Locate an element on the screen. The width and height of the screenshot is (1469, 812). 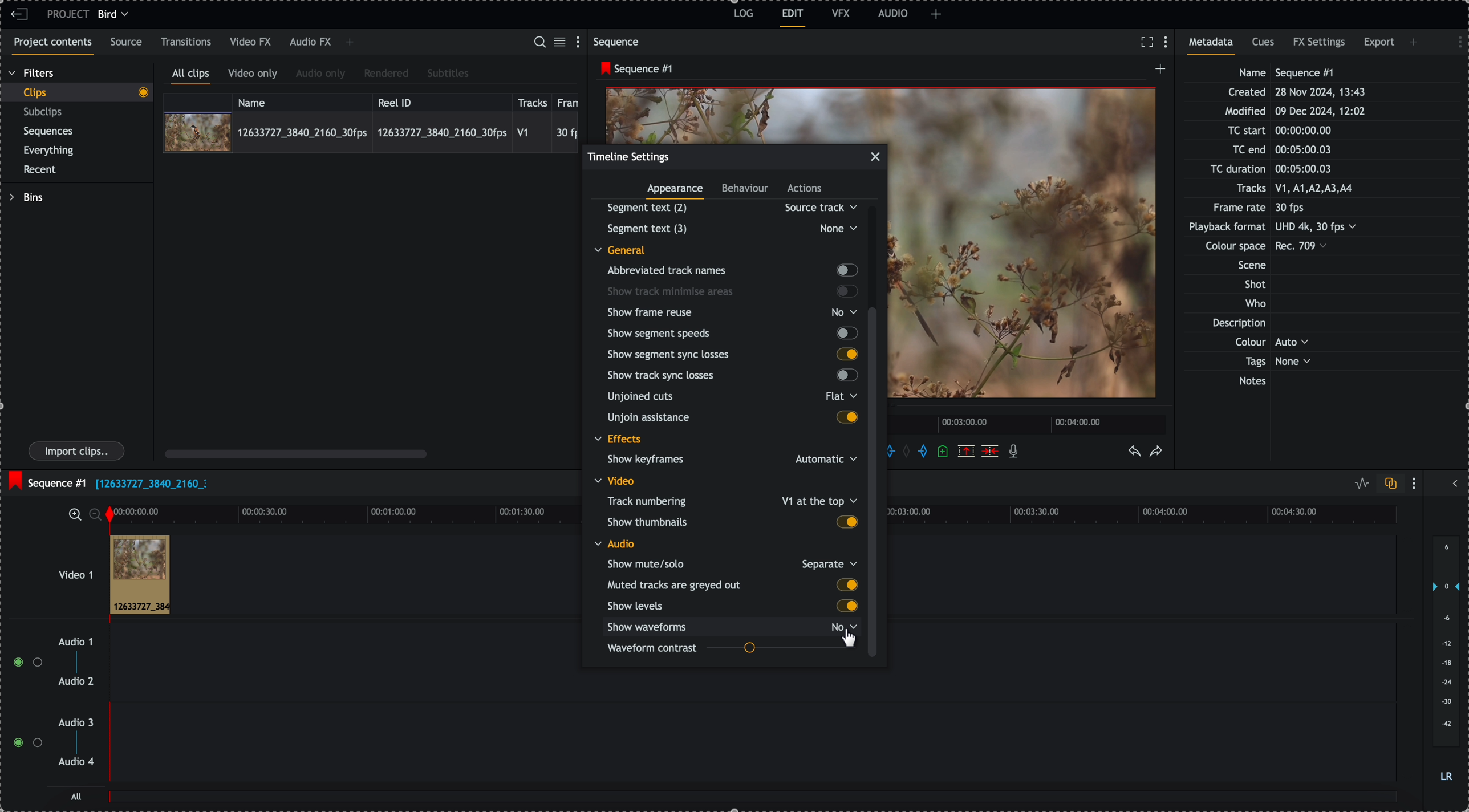
source is located at coordinates (128, 43).